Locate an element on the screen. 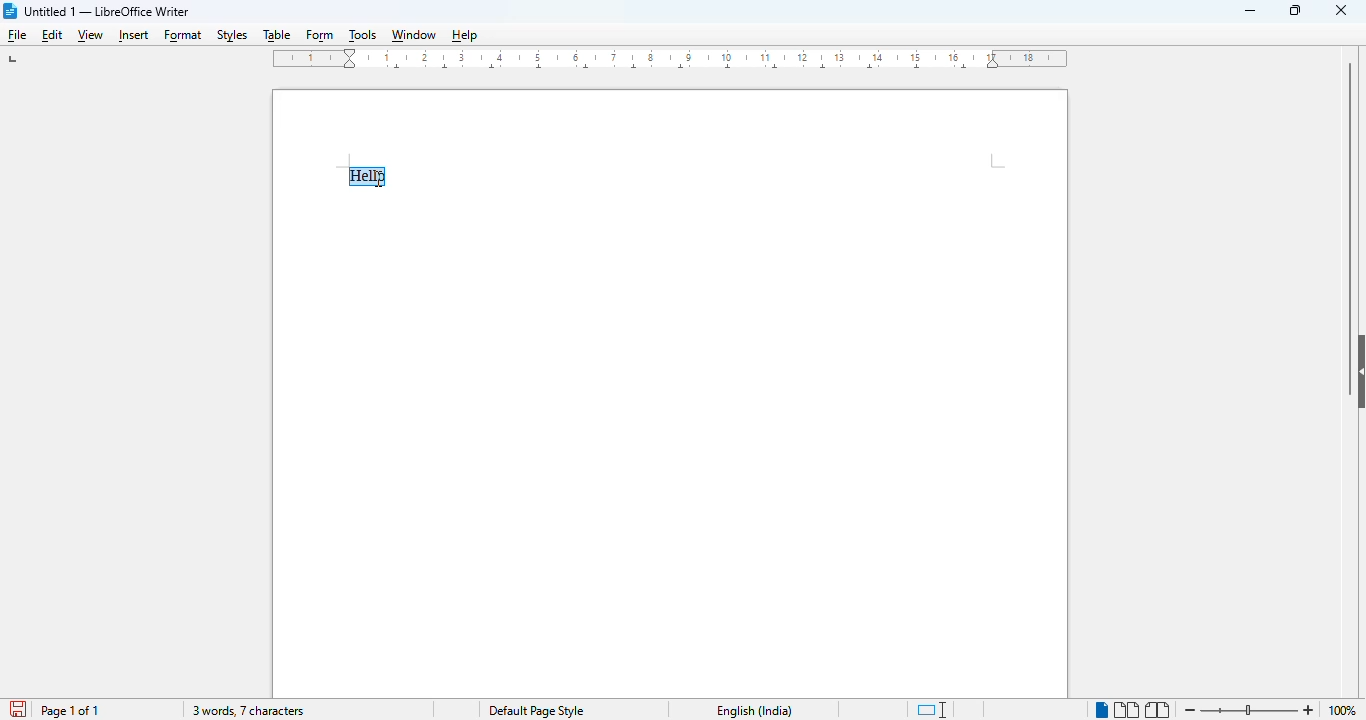 This screenshot has width=1366, height=720. workspace is located at coordinates (672, 445).